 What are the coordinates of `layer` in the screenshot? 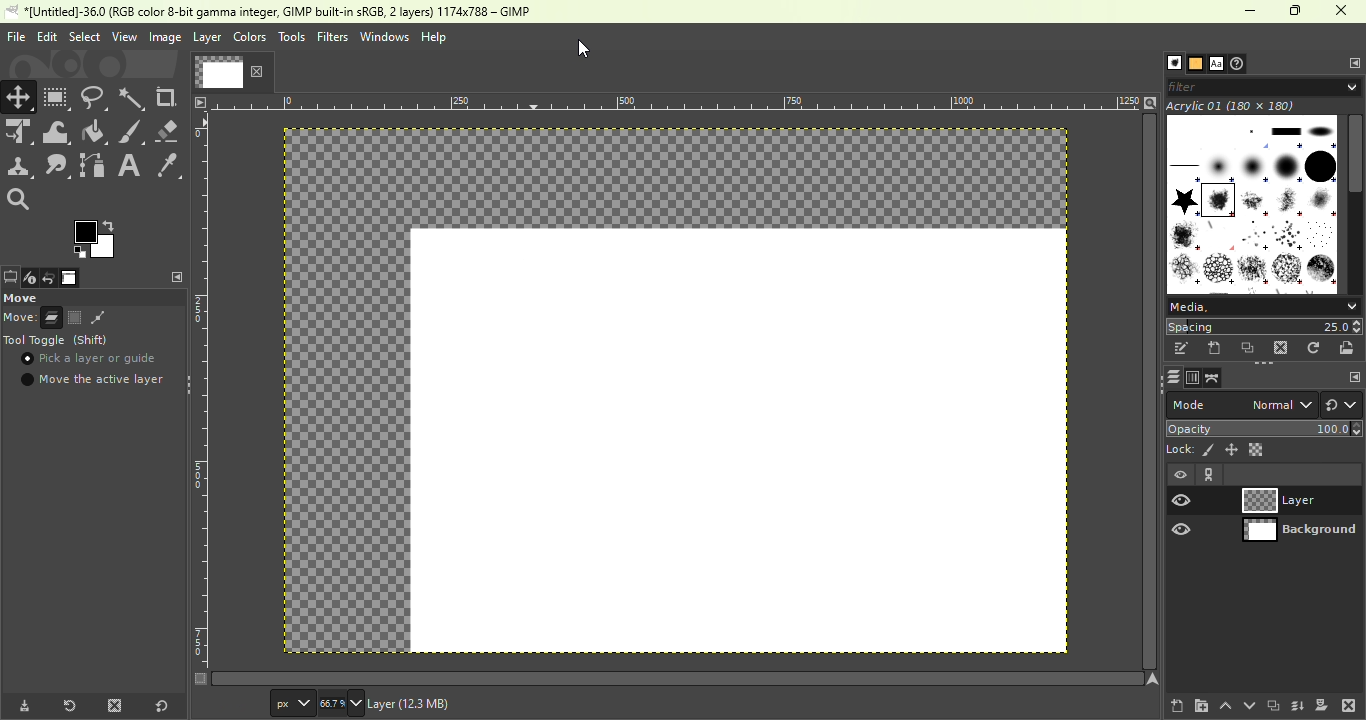 It's located at (207, 40).